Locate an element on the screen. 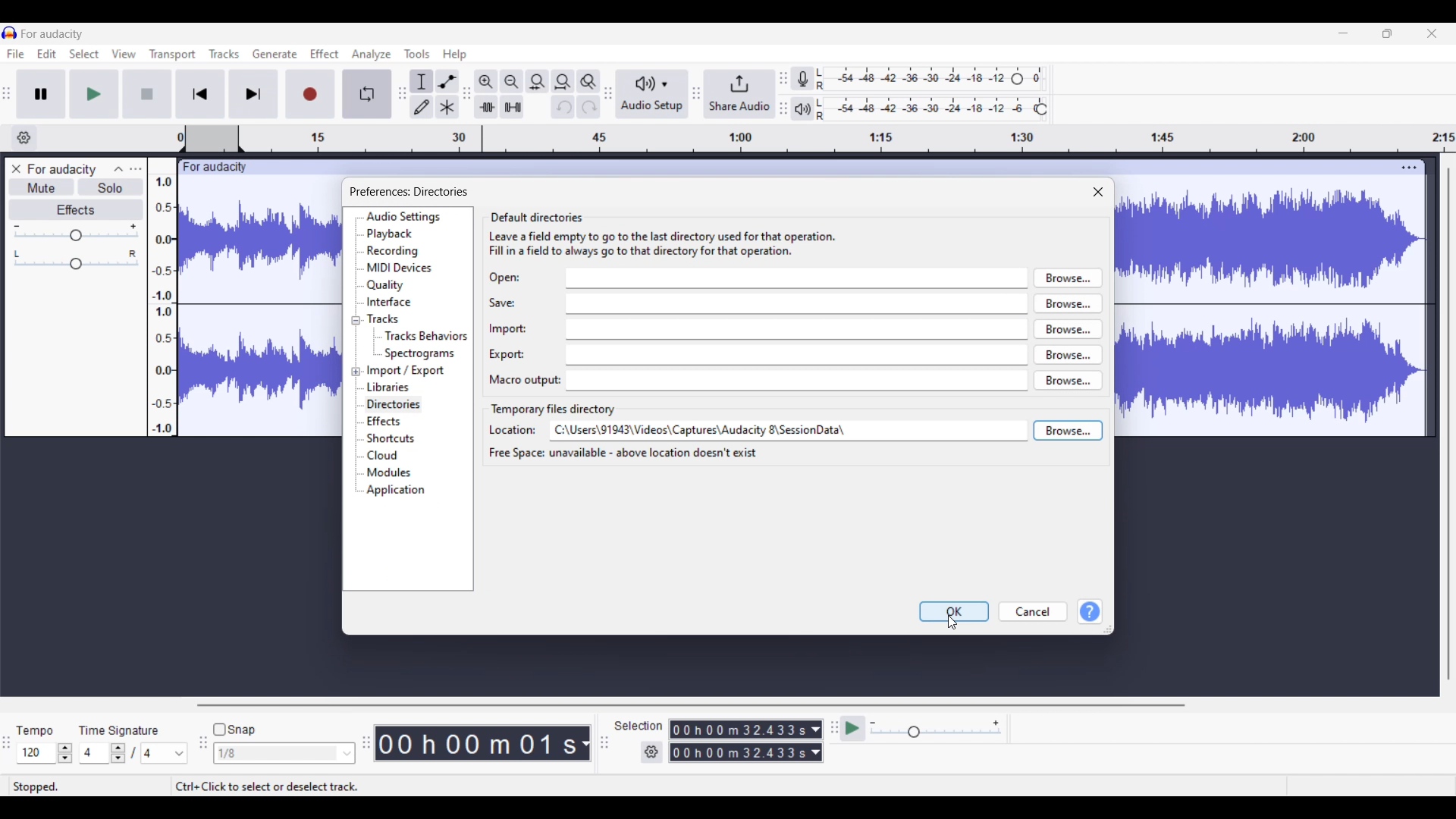  browse is located at coordinates (1068, 303).